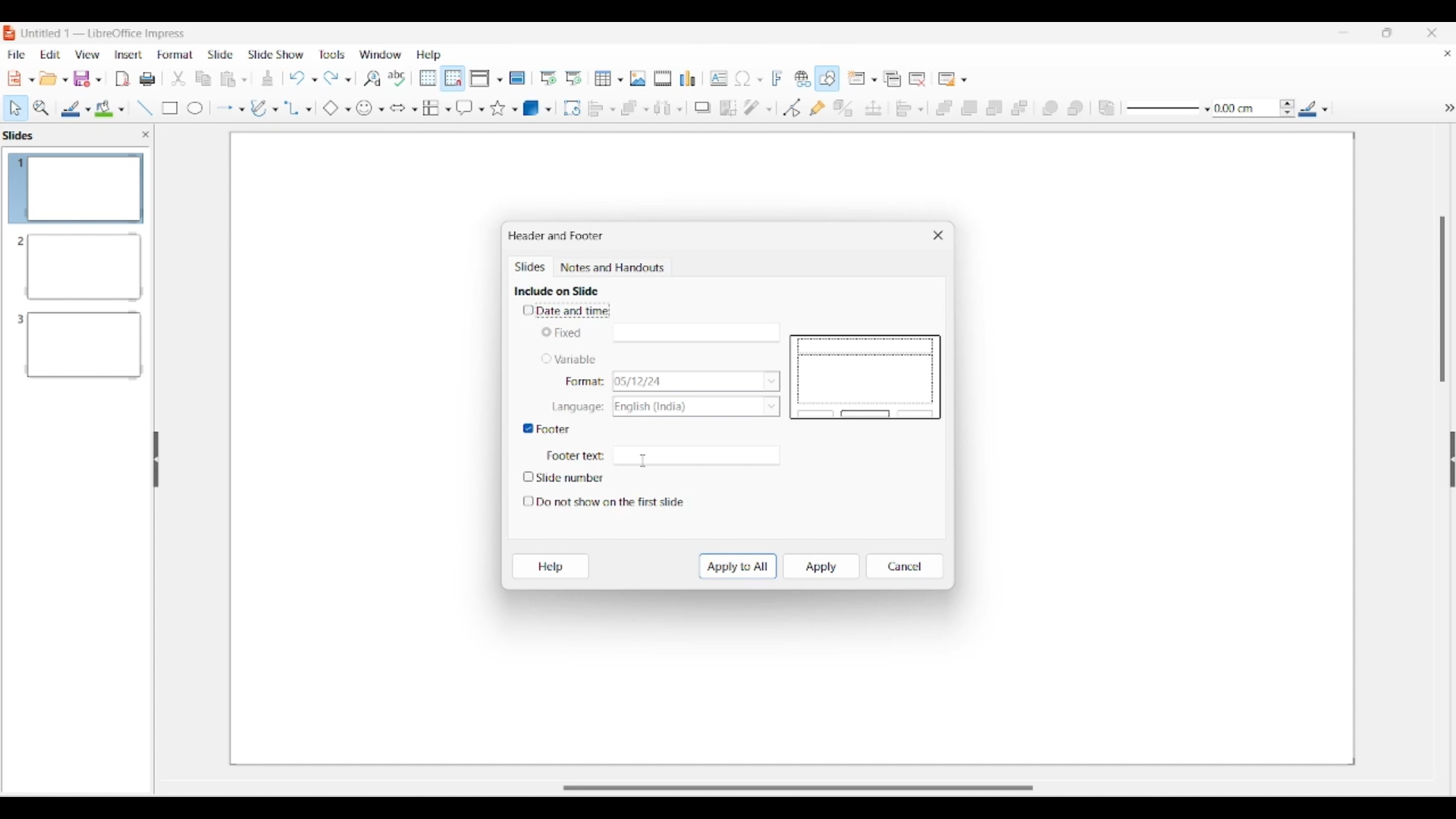 The width and height of the screenshot is (1456, 819). I want to click on Align objects, so click(909, 108).